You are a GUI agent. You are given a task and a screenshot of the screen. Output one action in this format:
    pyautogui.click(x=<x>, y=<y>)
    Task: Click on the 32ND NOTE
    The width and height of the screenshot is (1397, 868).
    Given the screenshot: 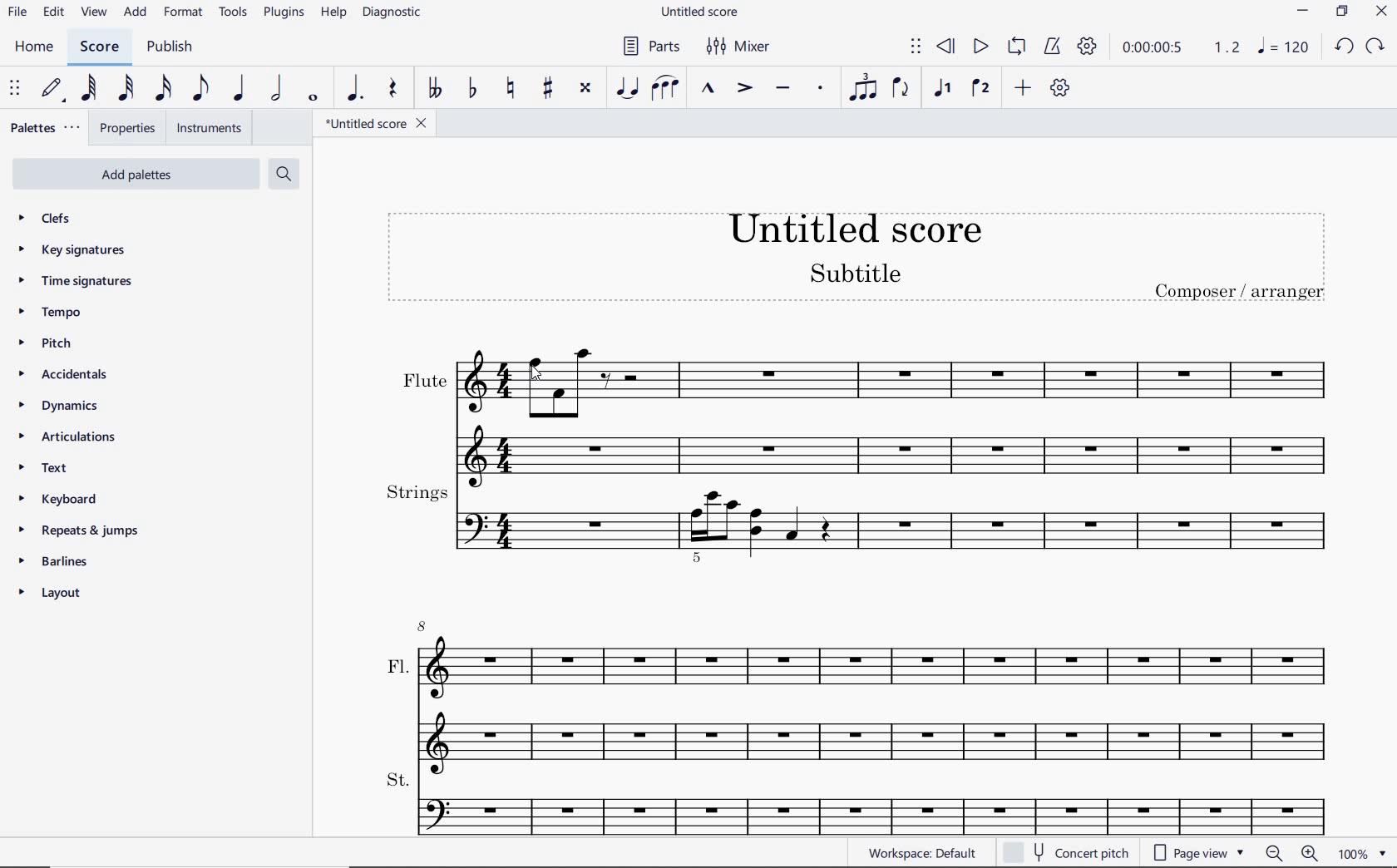 What is the action you would take?
    pyautogui.click(x=124, y=91)
    